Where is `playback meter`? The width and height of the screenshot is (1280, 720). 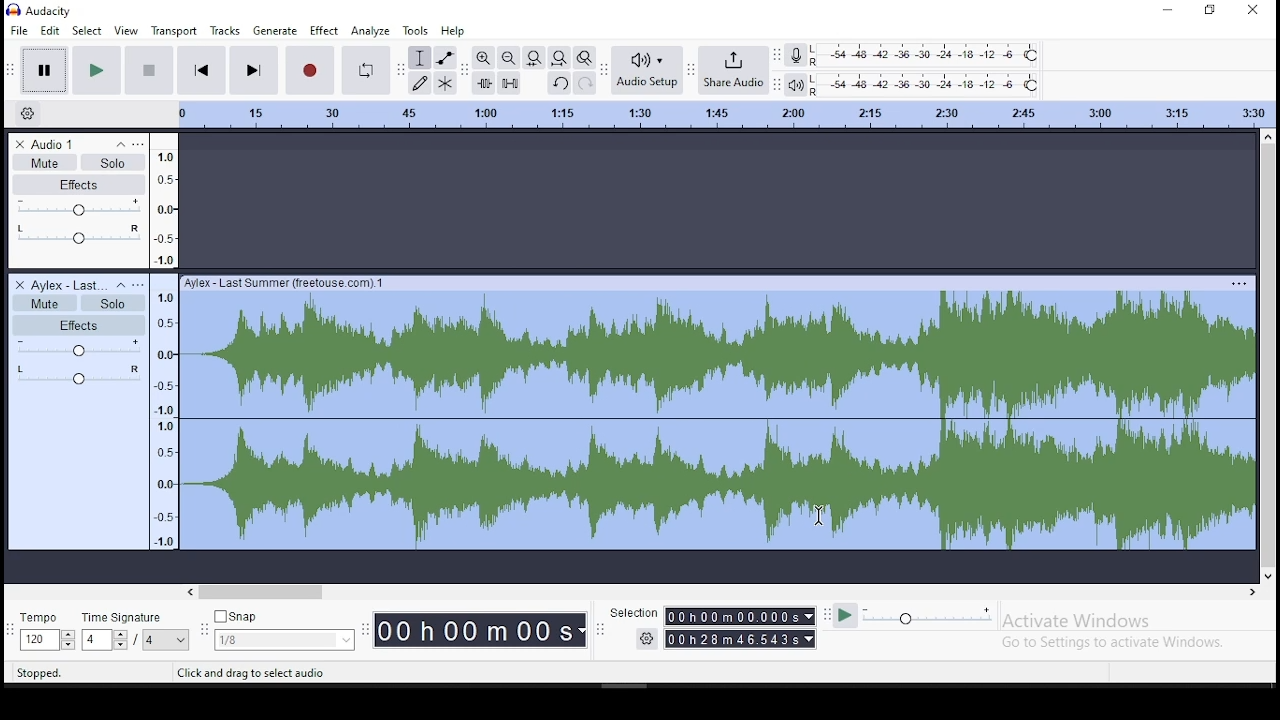
playback meter is located at coordinates (796, 83).